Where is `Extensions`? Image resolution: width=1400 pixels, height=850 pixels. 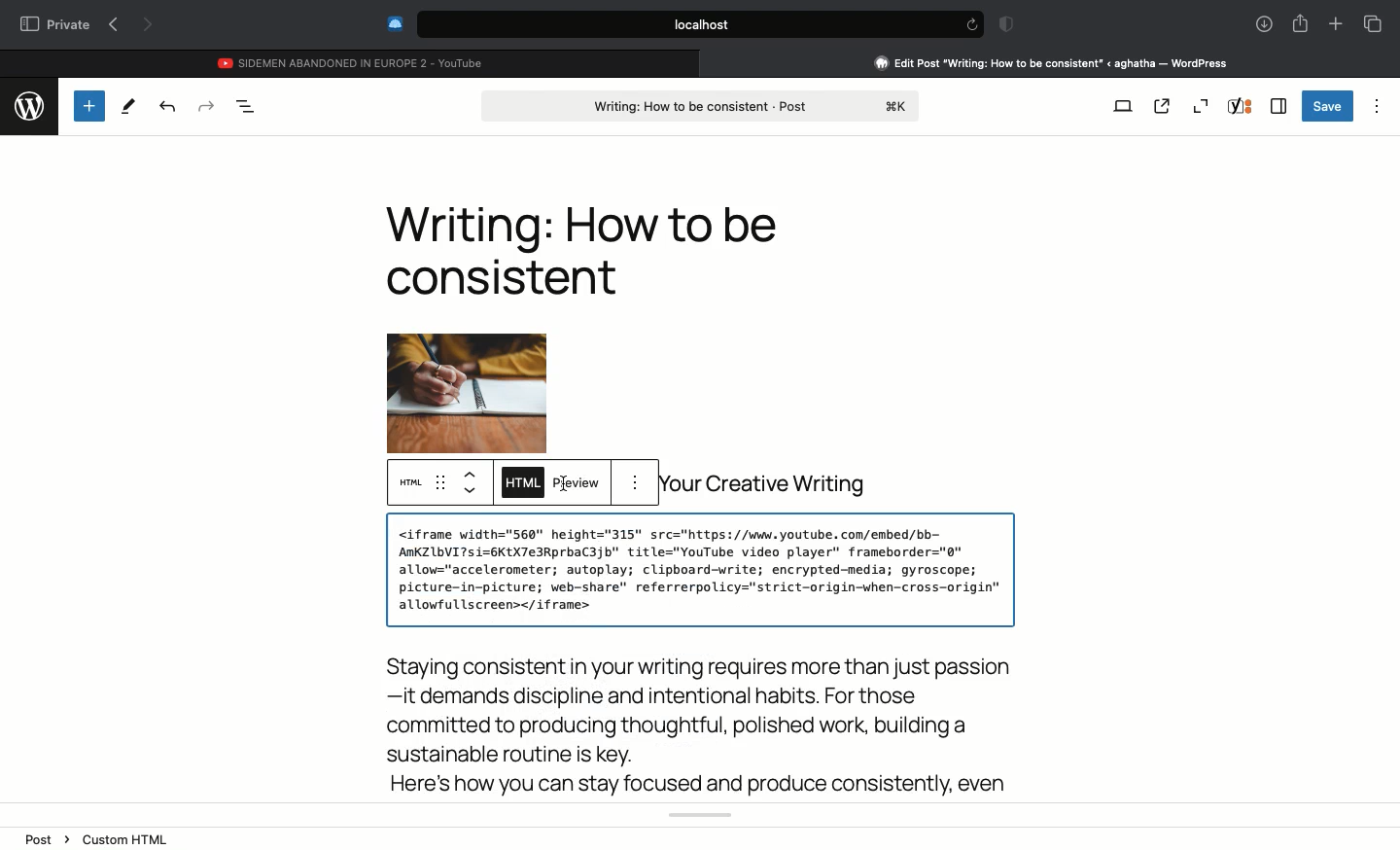 Extensions is located at coordinates (393, 23).